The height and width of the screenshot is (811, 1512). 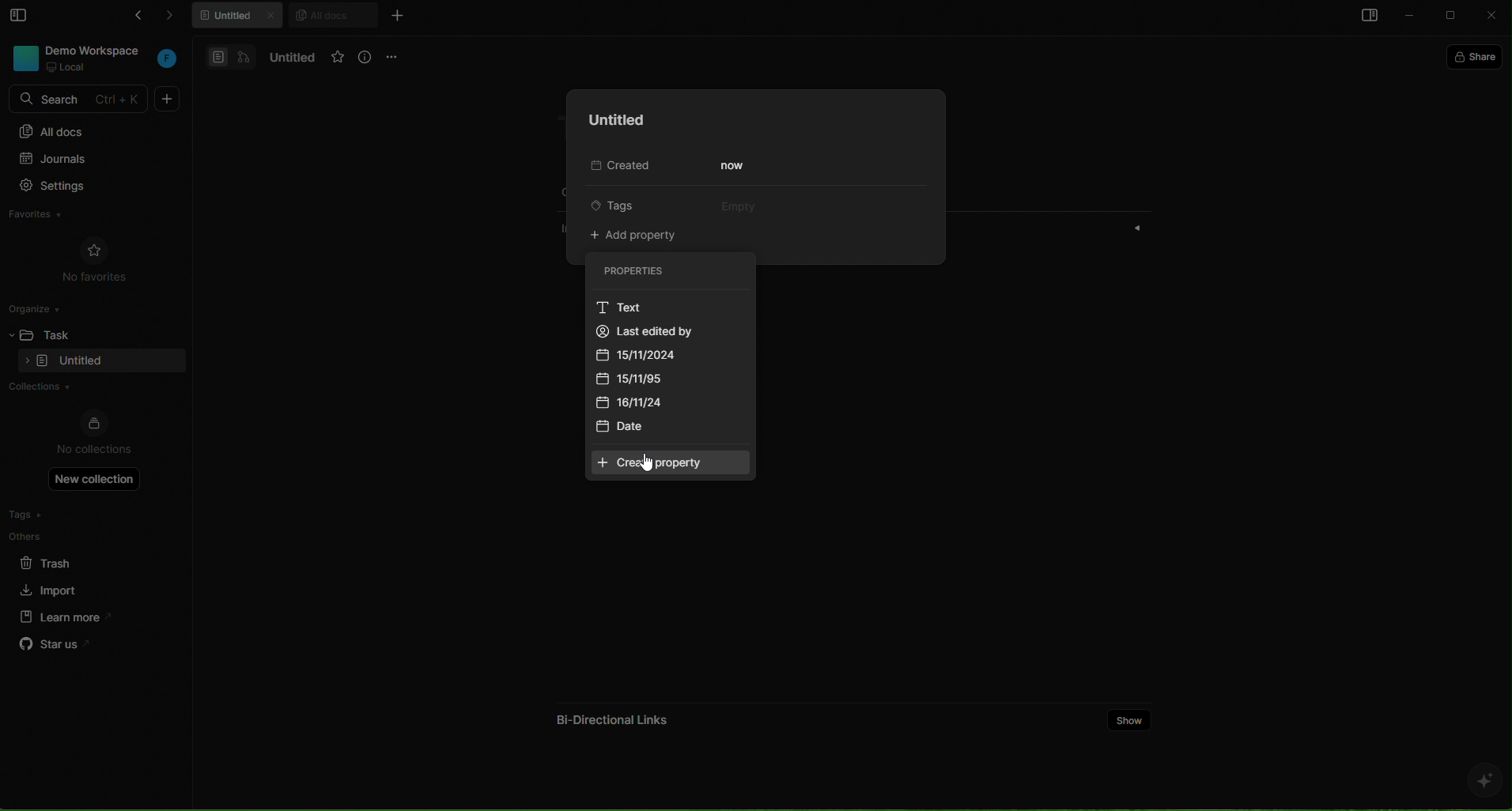 I want to click on collections, so click(x=89, y=388).